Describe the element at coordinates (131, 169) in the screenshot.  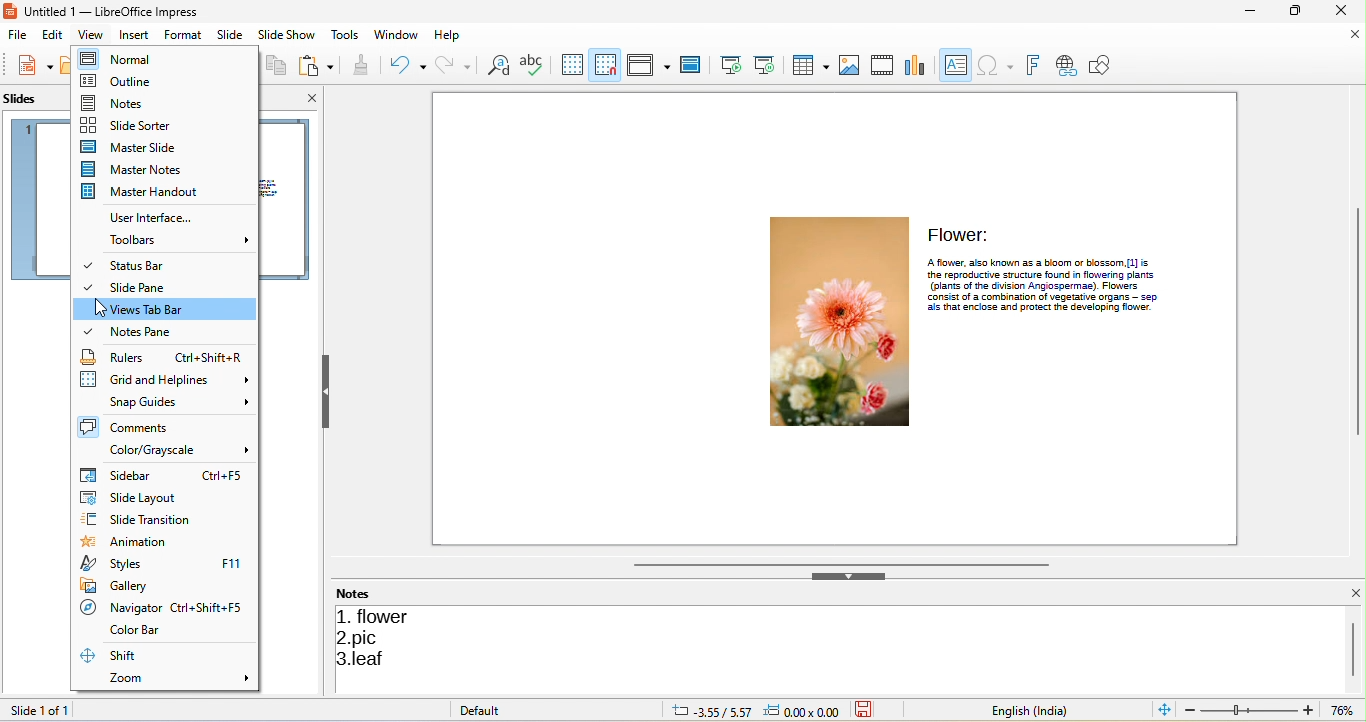
I see `master notes` at that location.